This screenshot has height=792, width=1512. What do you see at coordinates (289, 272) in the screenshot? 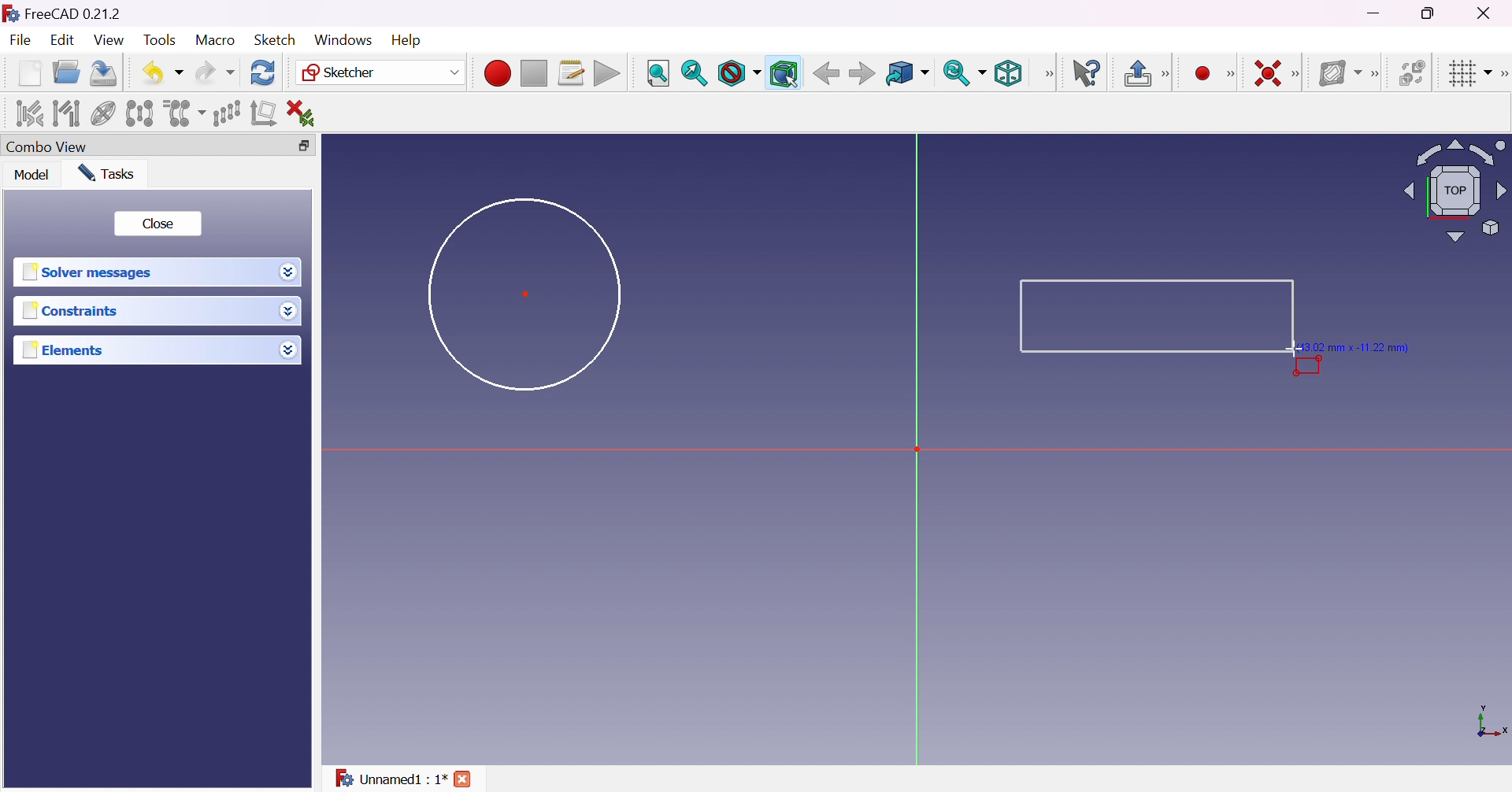
I see `Drop down` at bounding box center [289, 272].